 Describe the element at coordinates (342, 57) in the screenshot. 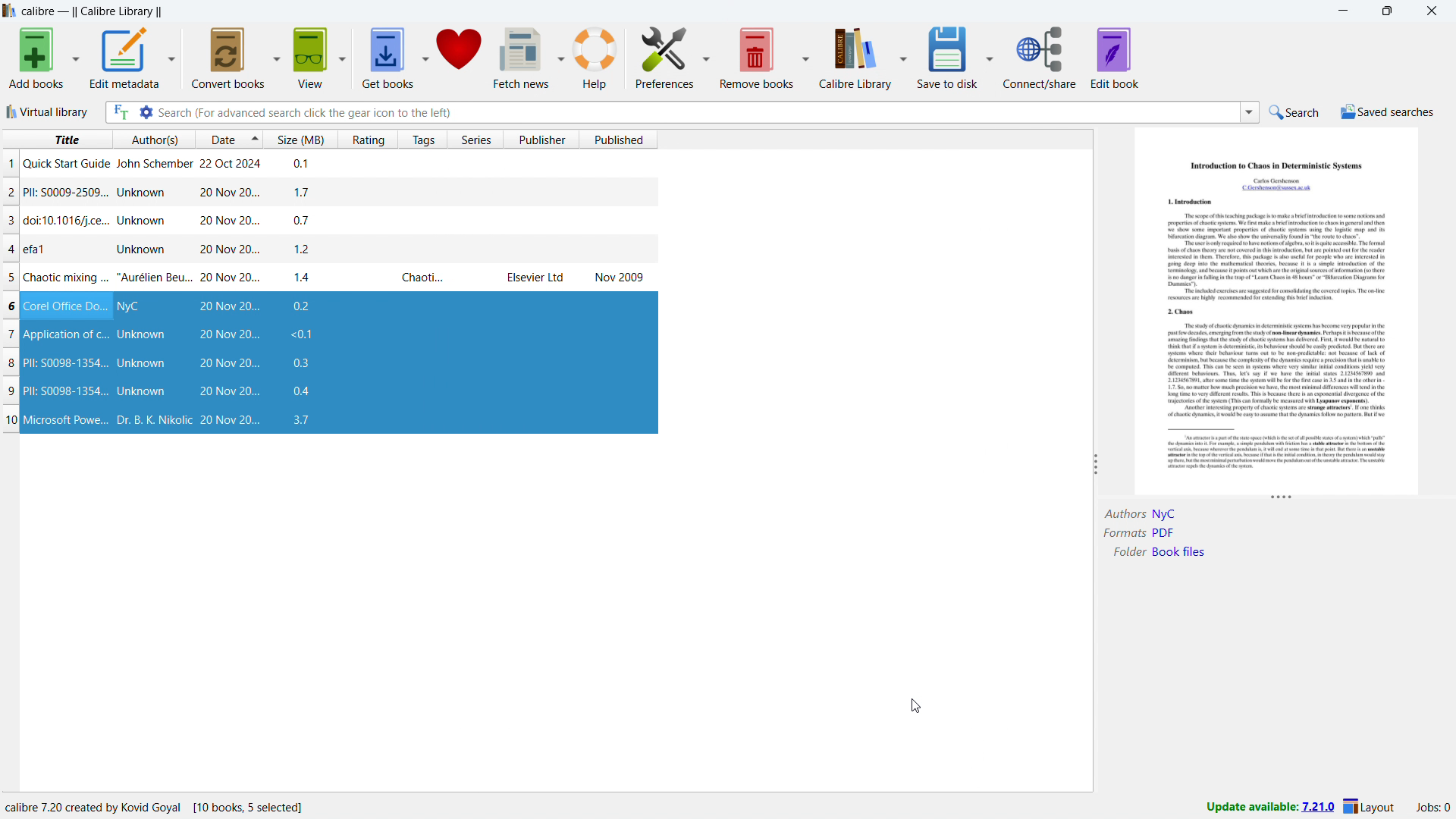

I see `view options` at that location.